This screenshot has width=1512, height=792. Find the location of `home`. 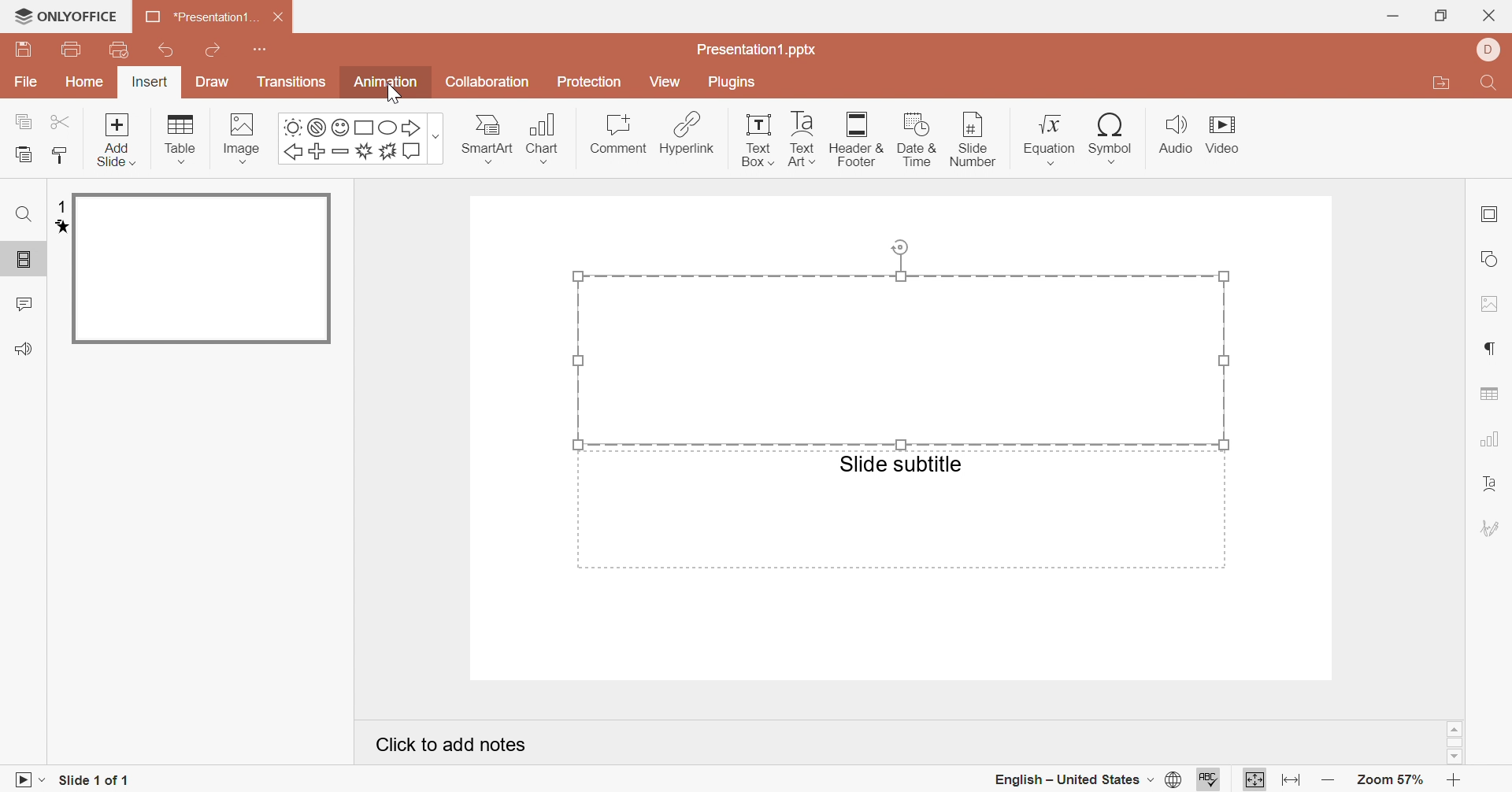

home is located at coordinates (86, 81).